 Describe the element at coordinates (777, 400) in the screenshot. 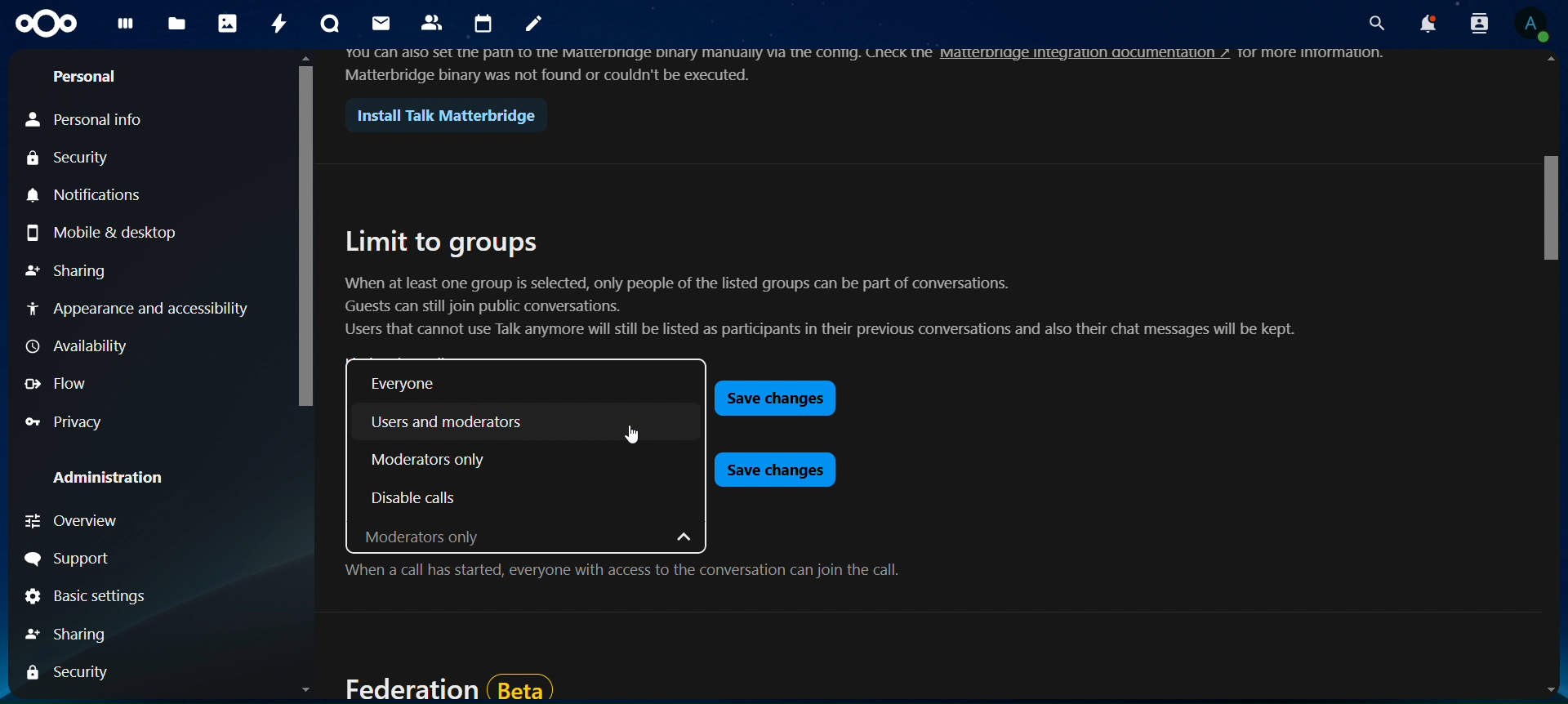

I see `save changes` at that location.